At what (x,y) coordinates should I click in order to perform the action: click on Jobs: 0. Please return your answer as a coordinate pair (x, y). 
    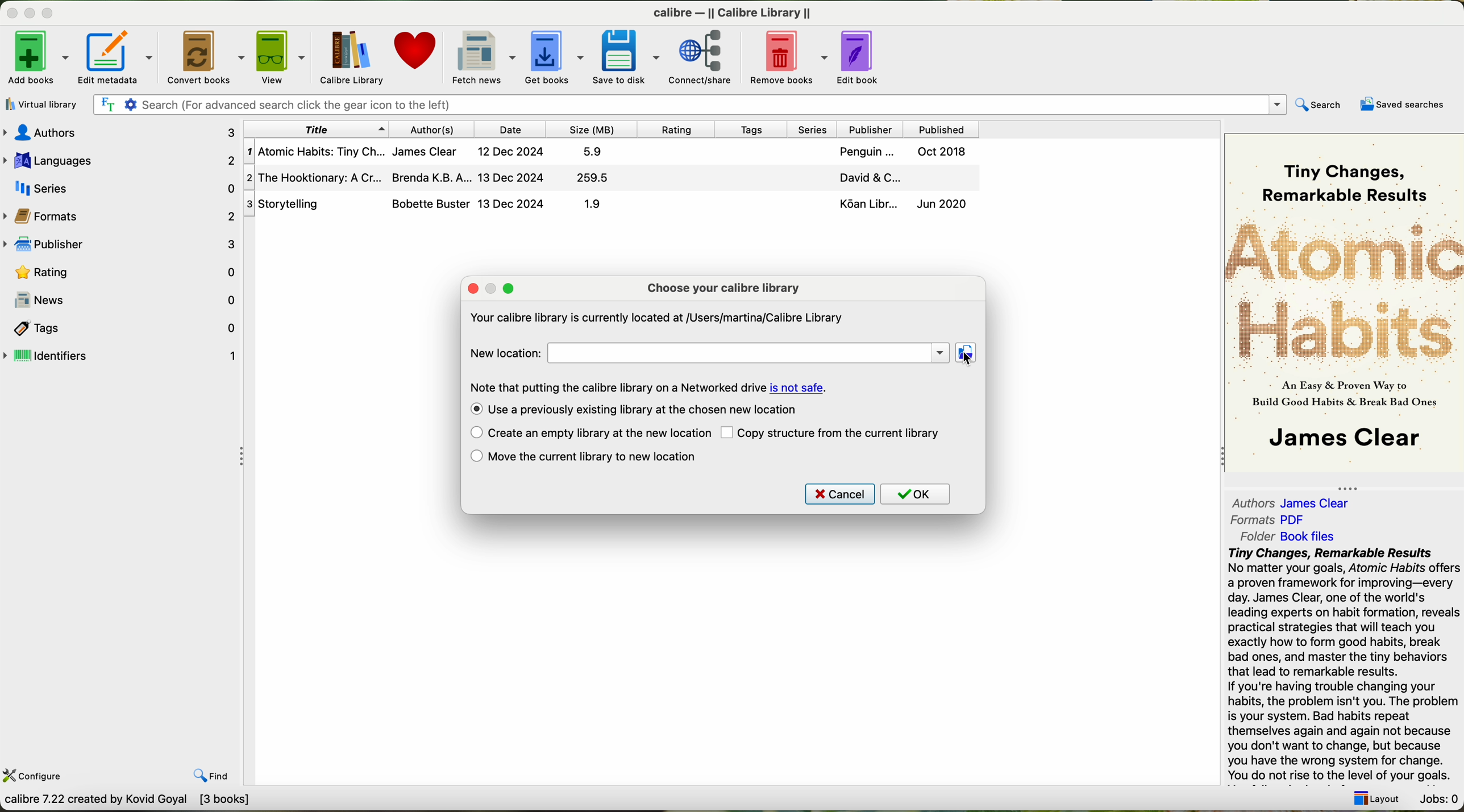
    Looking at the image, I should click on (1438, 798).